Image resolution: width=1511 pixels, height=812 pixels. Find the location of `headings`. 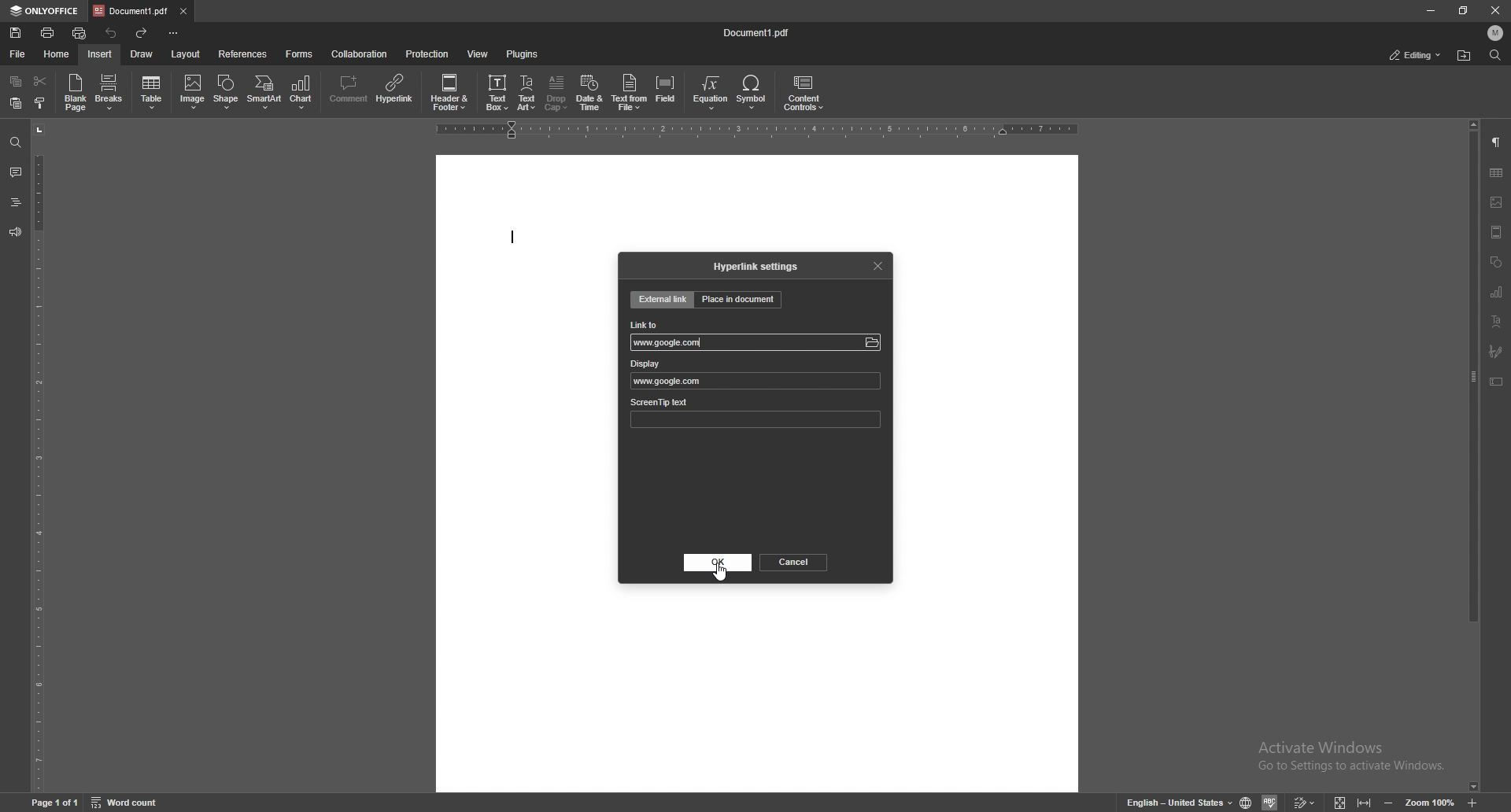

headings is located at coordinates (15, 202).